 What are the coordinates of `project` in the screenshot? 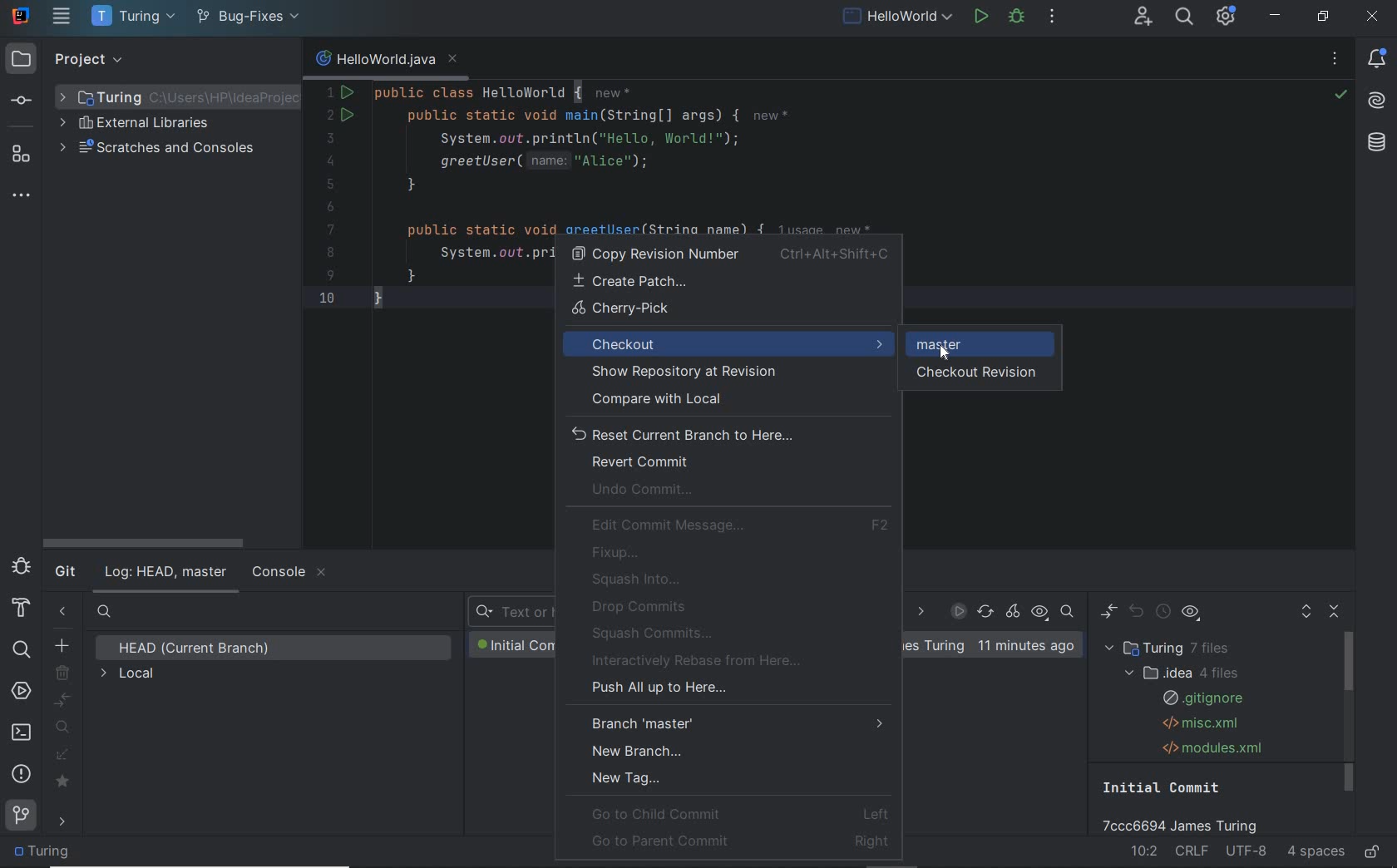 It's located at (65, 61).